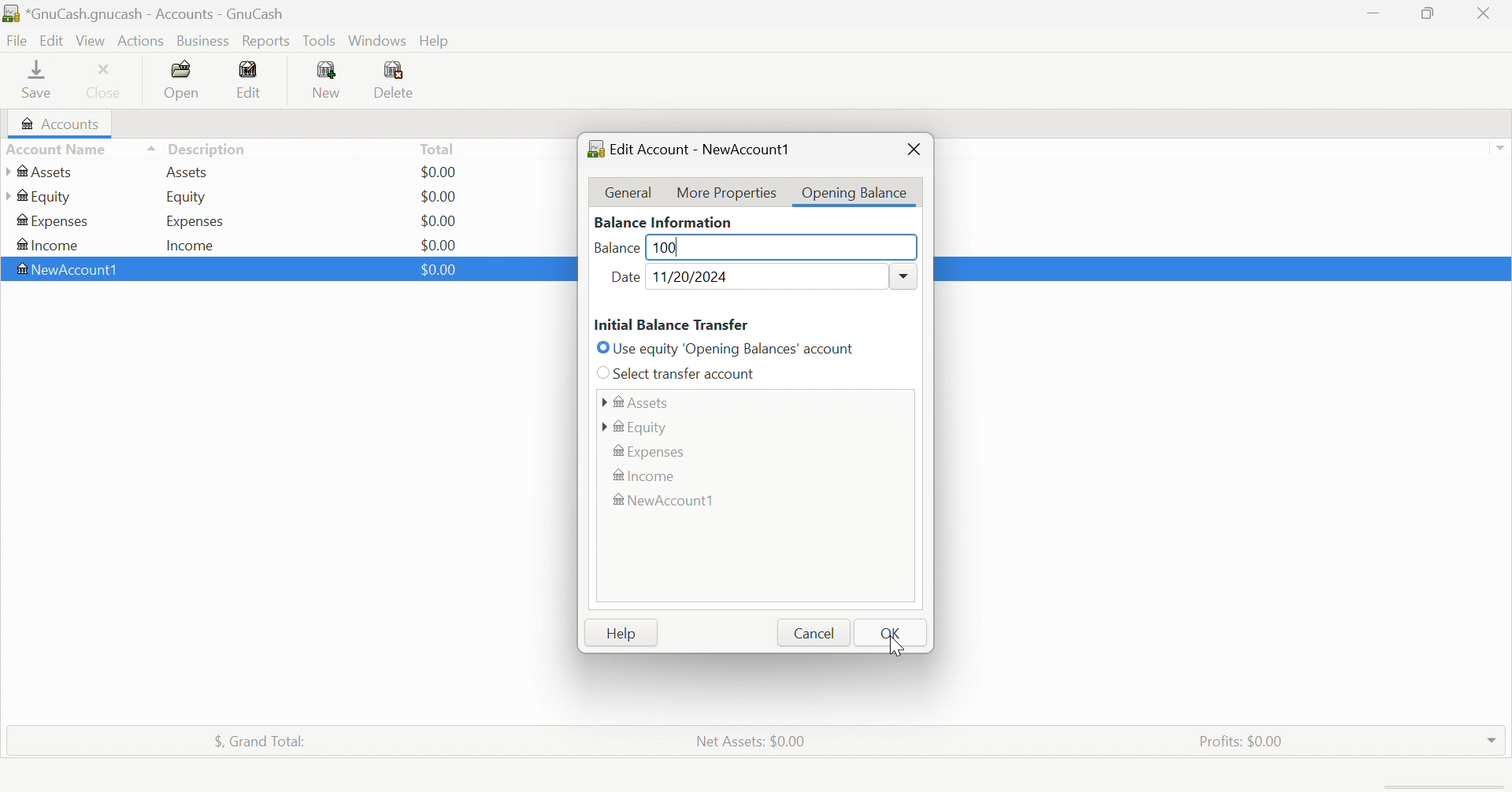 Image resolution: width=1512 pixels, height=792 pixels. Describe the element at coordinates (437, 40) in the screenshot. I see `Help` at that location.